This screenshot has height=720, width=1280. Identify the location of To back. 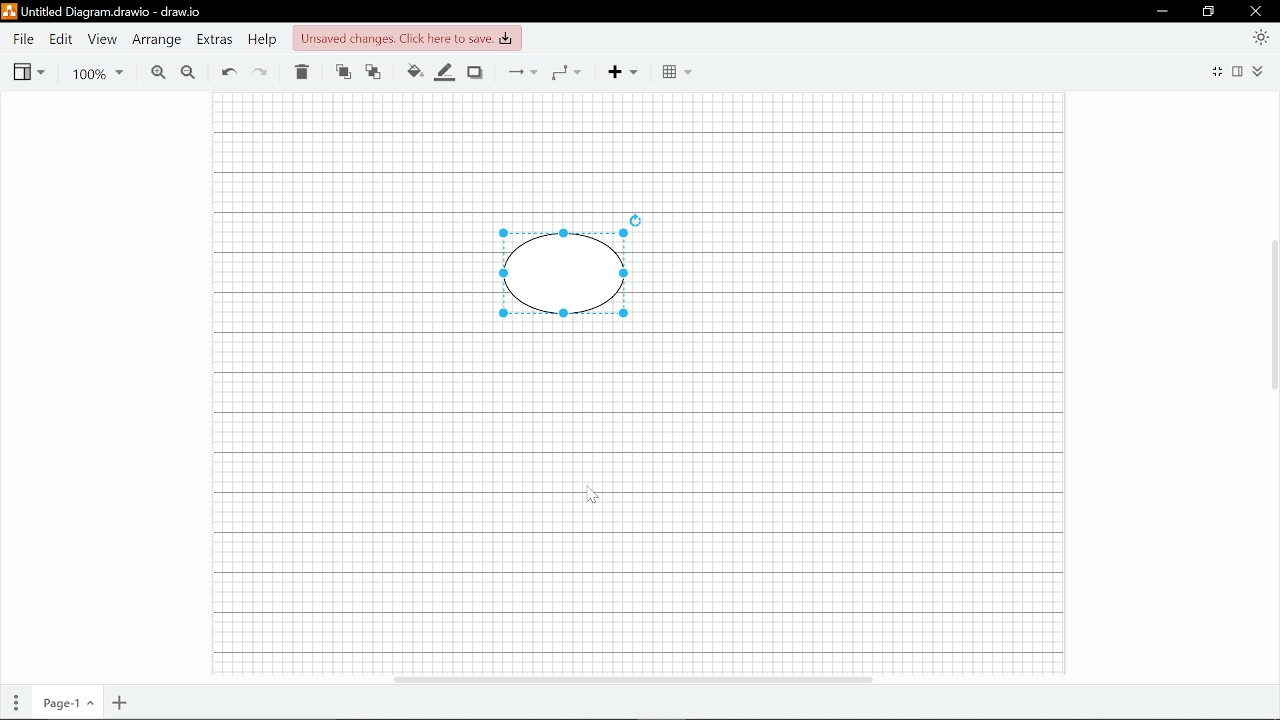
(374, 73).